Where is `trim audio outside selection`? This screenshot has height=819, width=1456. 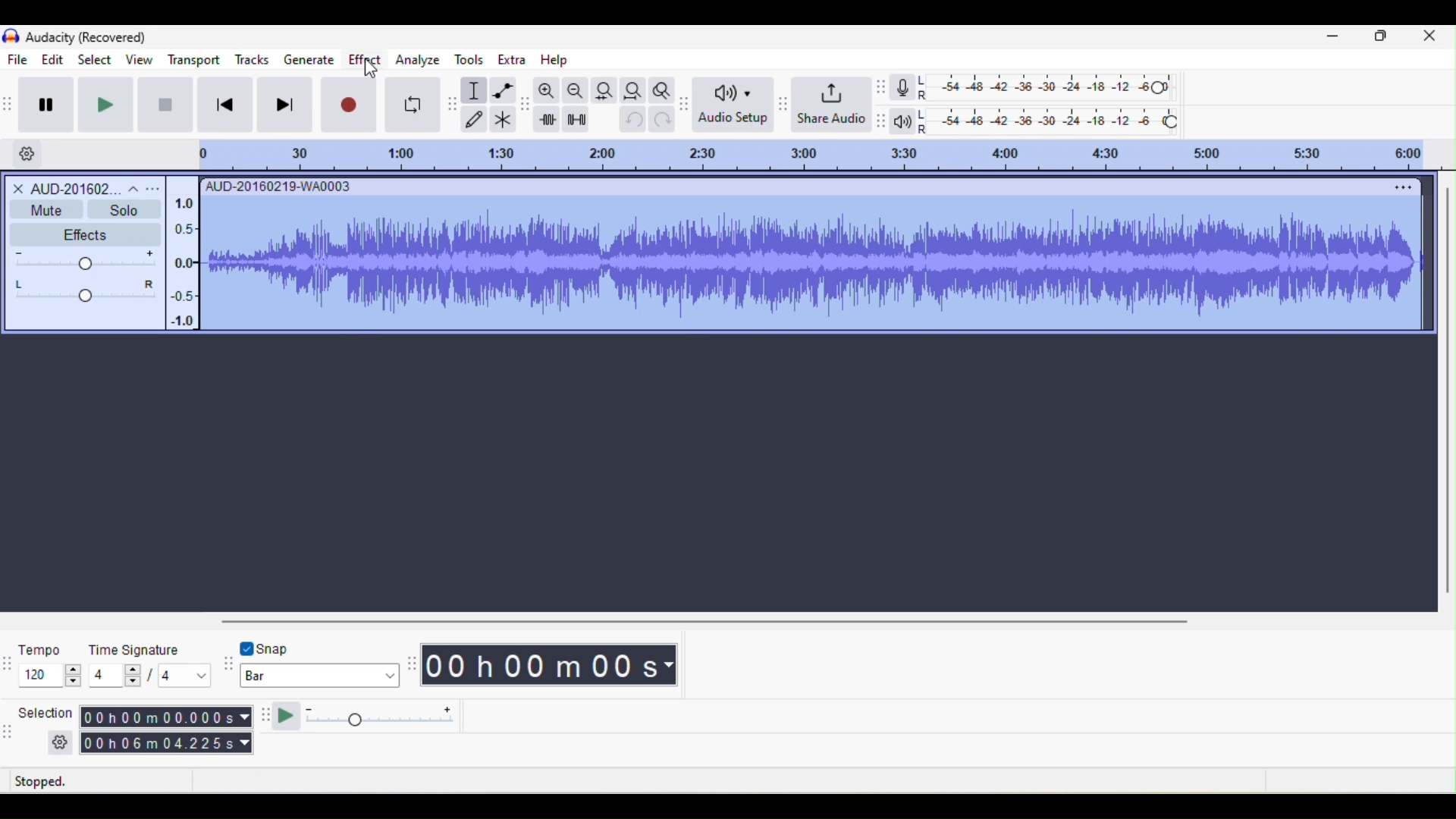 trim audio outside selection is located at coordinates (548, 119).